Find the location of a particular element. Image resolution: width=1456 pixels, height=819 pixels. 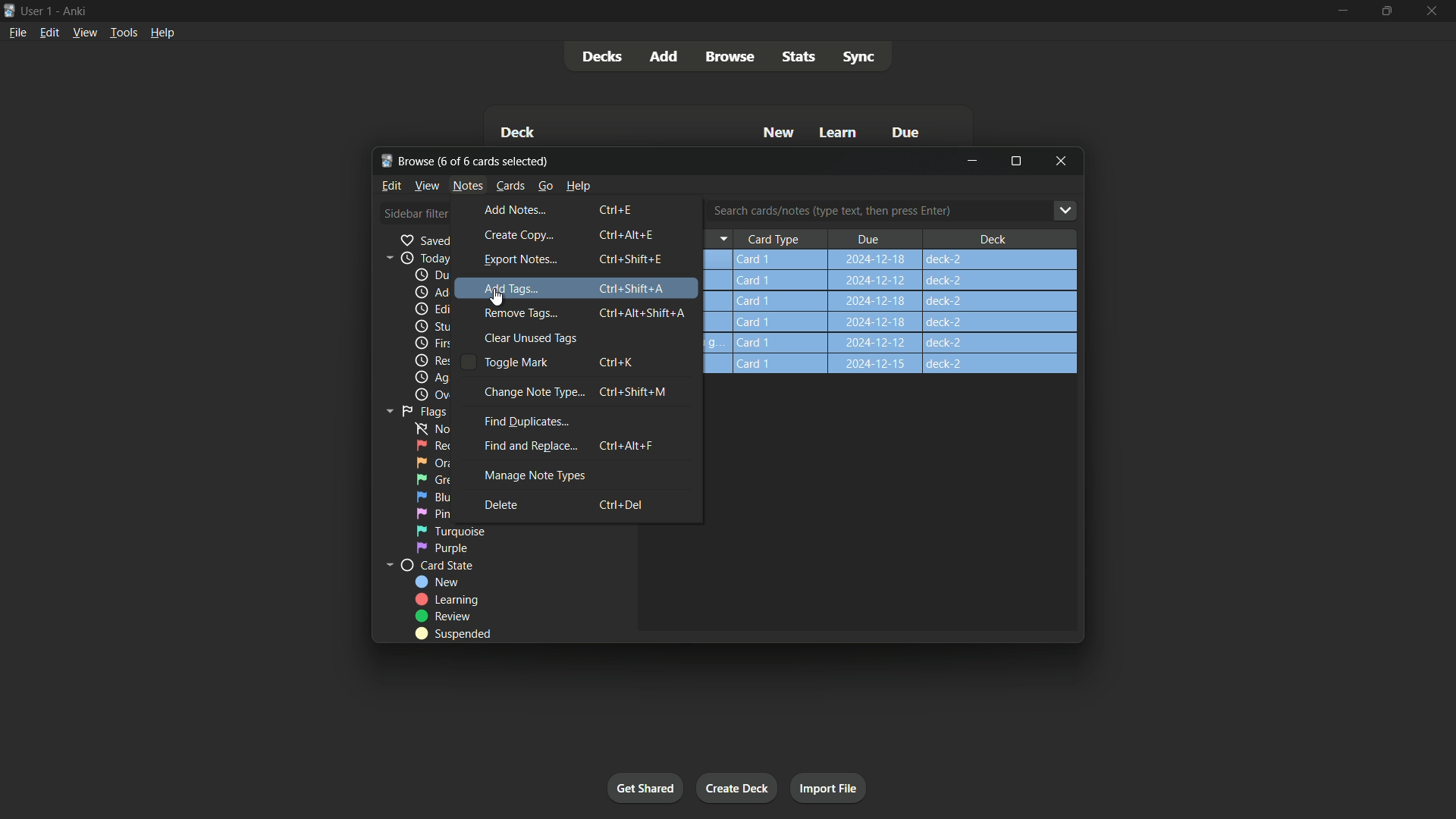

delete is located at coordinates (507, 503).